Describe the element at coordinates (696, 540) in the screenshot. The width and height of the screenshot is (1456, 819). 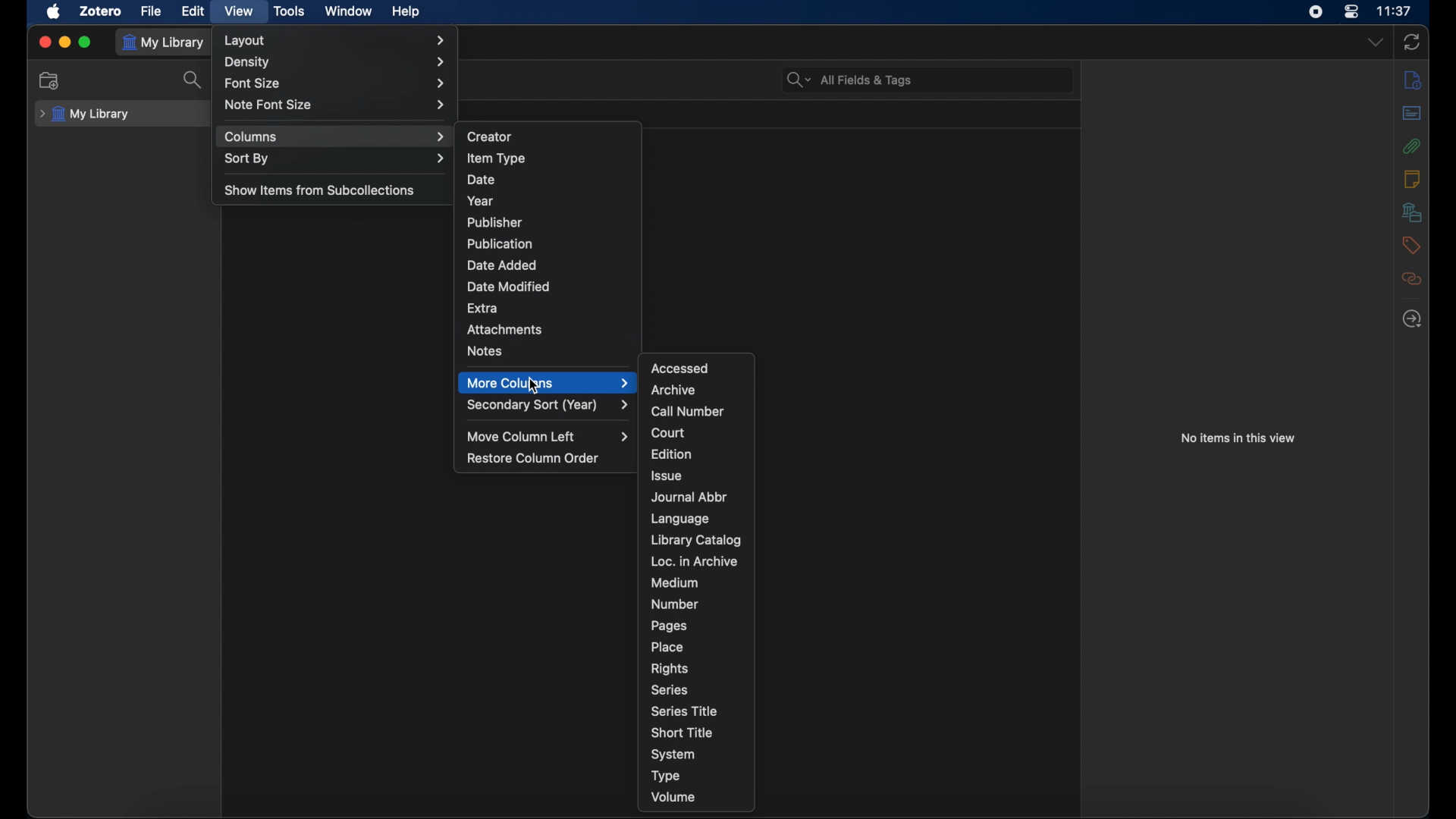
I see `library catalog` at that location.